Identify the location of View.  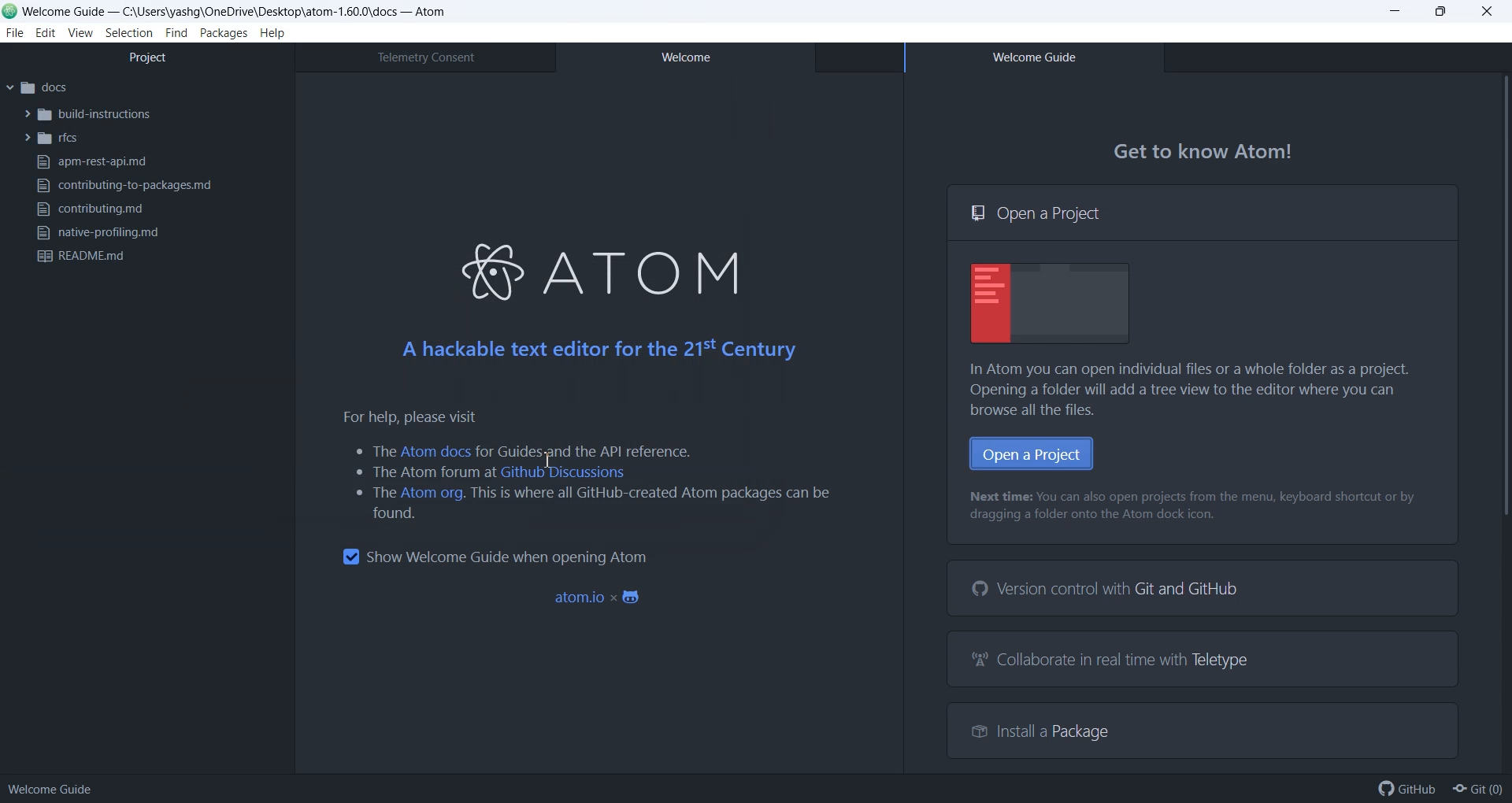
(80, 33).